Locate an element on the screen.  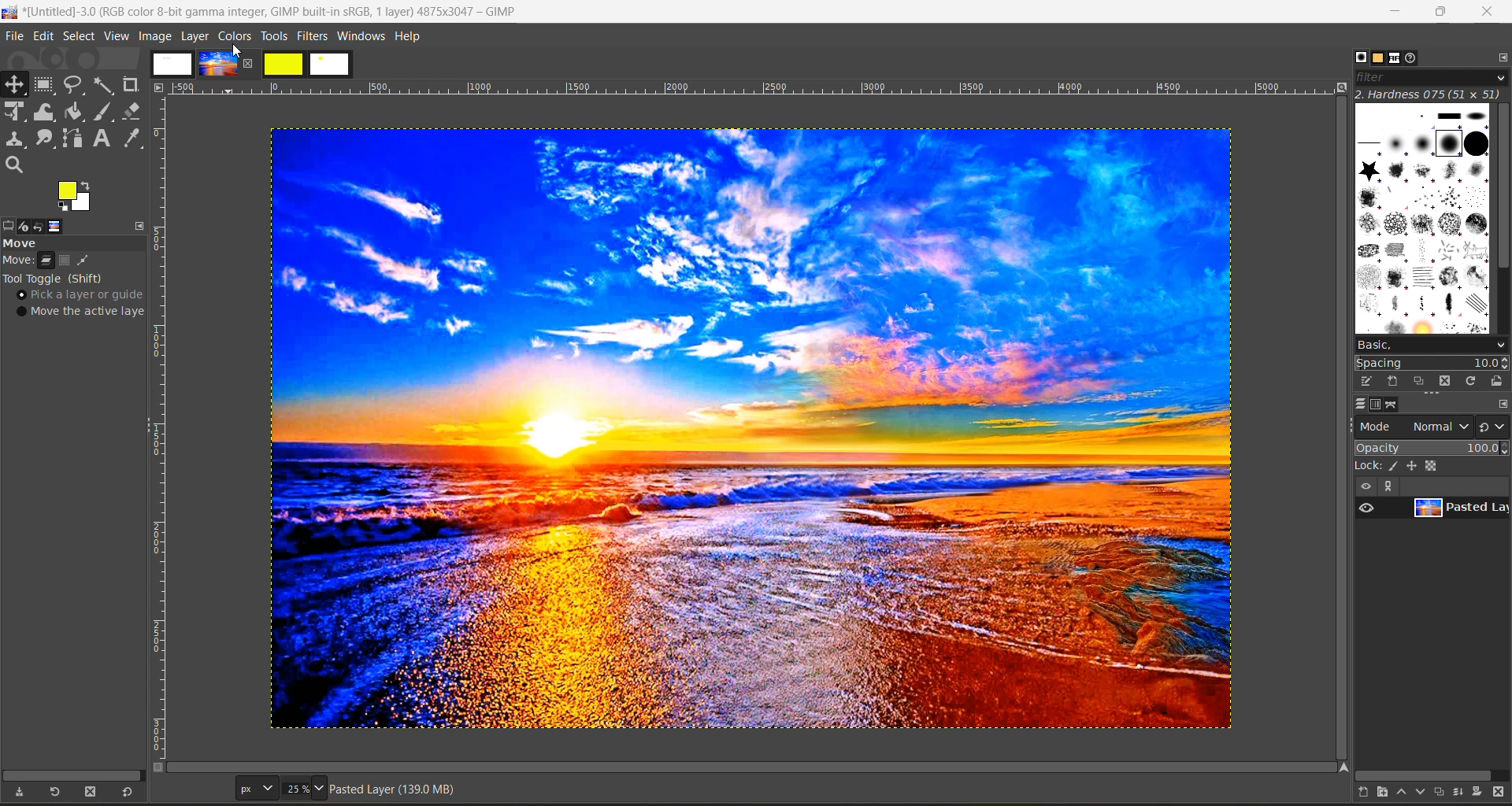
fonts is located at coordinates (1399, 60).